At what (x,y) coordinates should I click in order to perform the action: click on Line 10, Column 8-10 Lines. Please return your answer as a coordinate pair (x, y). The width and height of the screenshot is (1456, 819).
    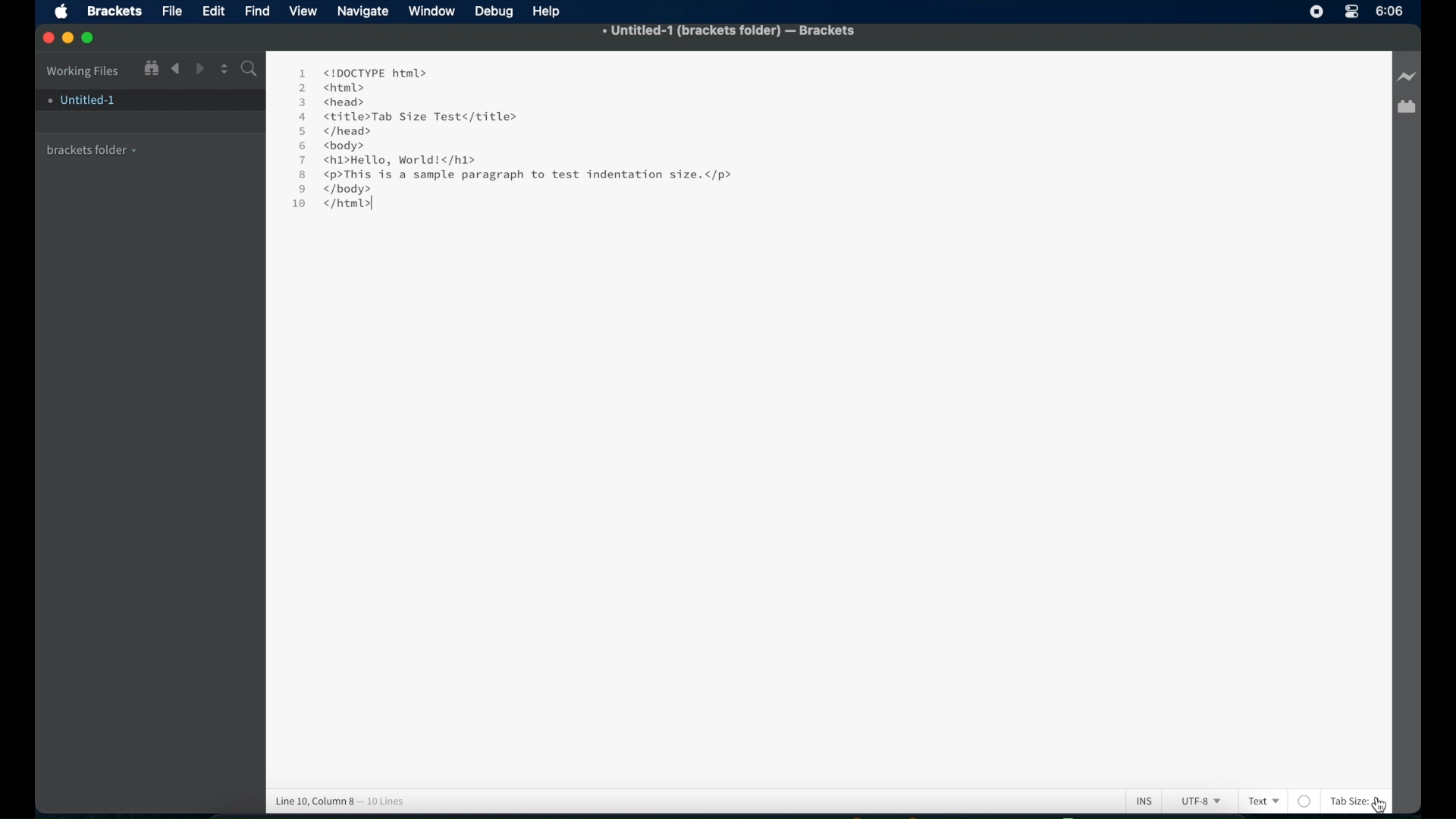
    Looking at the image, I should click on (347, 799).